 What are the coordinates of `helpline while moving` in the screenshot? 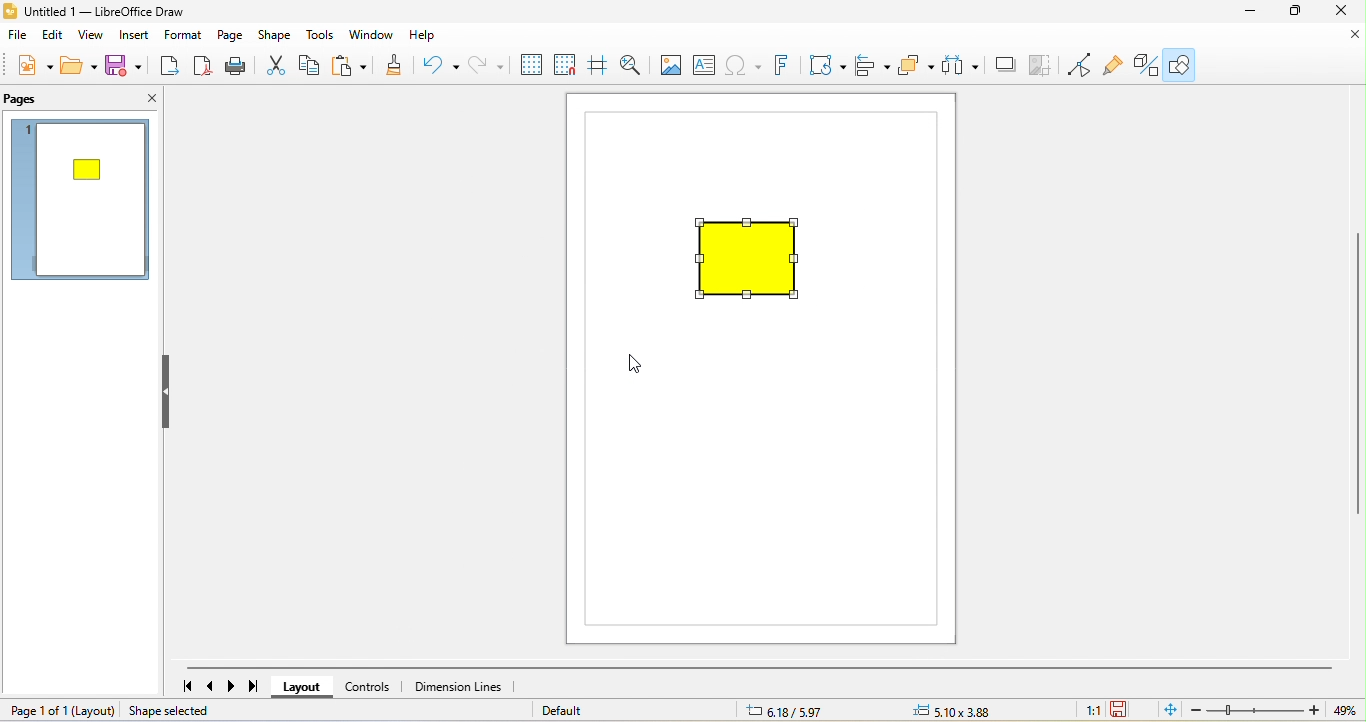 It's located at (600, 65).